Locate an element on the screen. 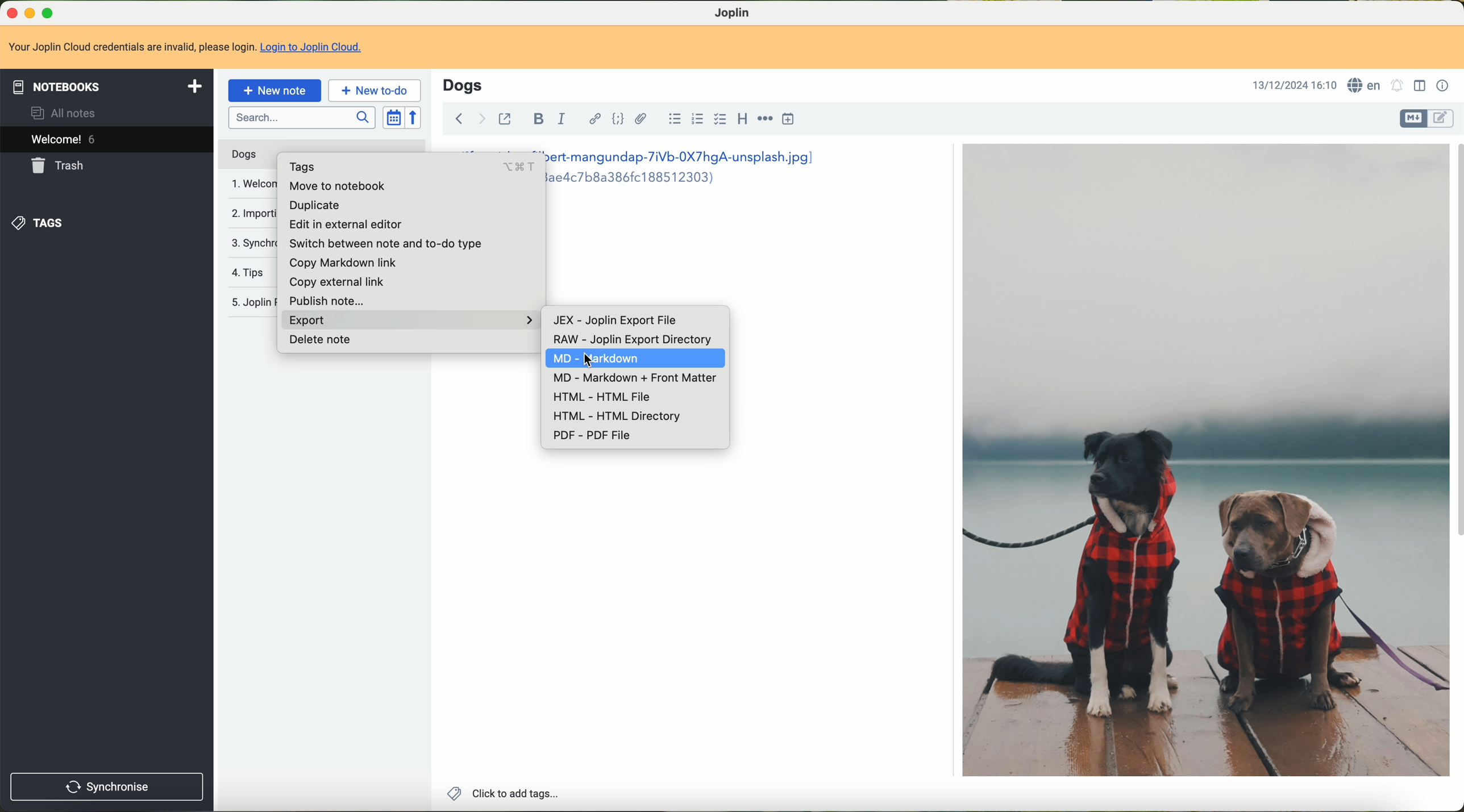  JEX - Joplin Export file is located at coordinates (613, 321).